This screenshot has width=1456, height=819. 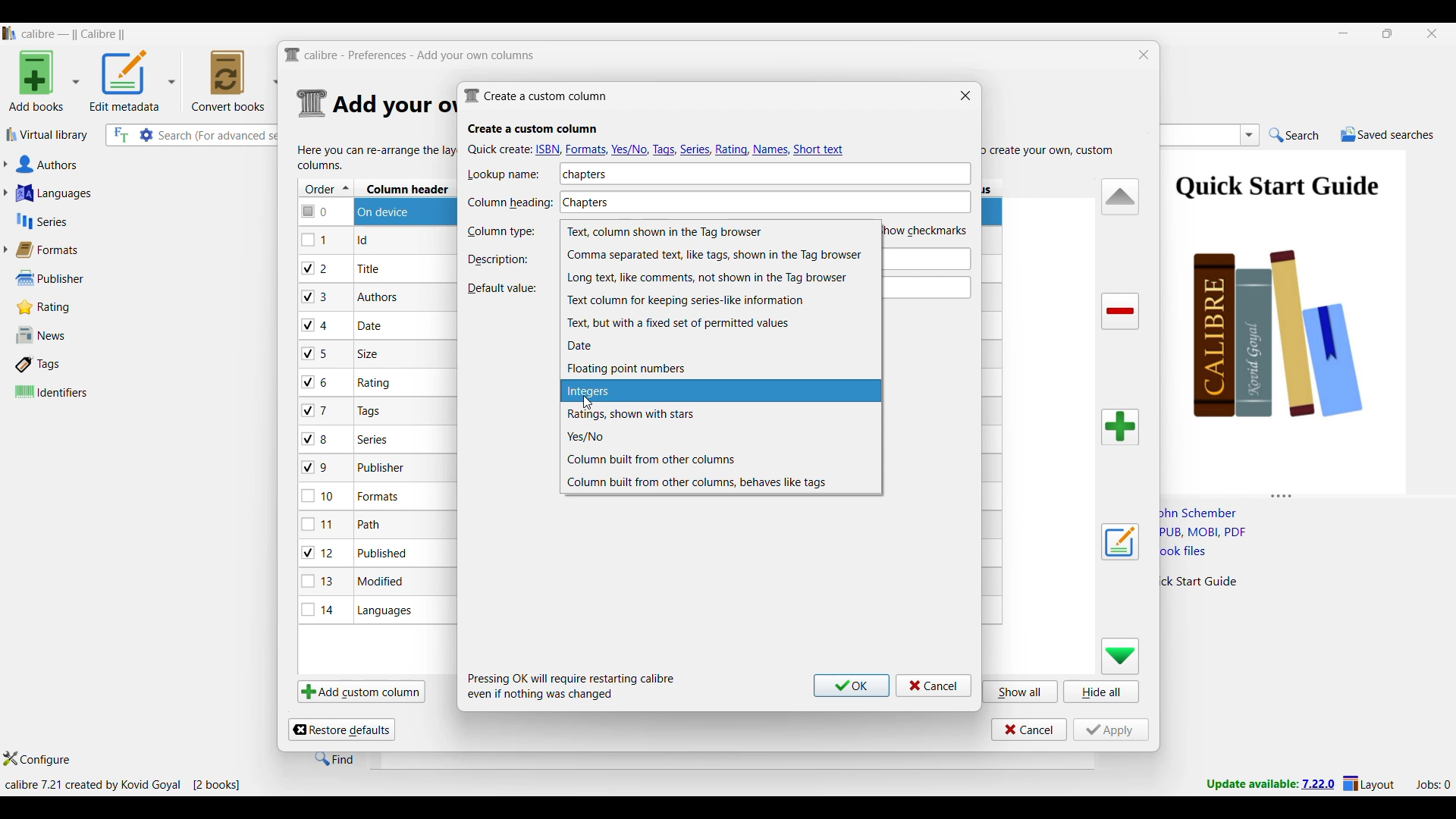 What do you see at coordinates (52, 307) in the screenshot?
I see `Rating` at bounding box center [52, 307].